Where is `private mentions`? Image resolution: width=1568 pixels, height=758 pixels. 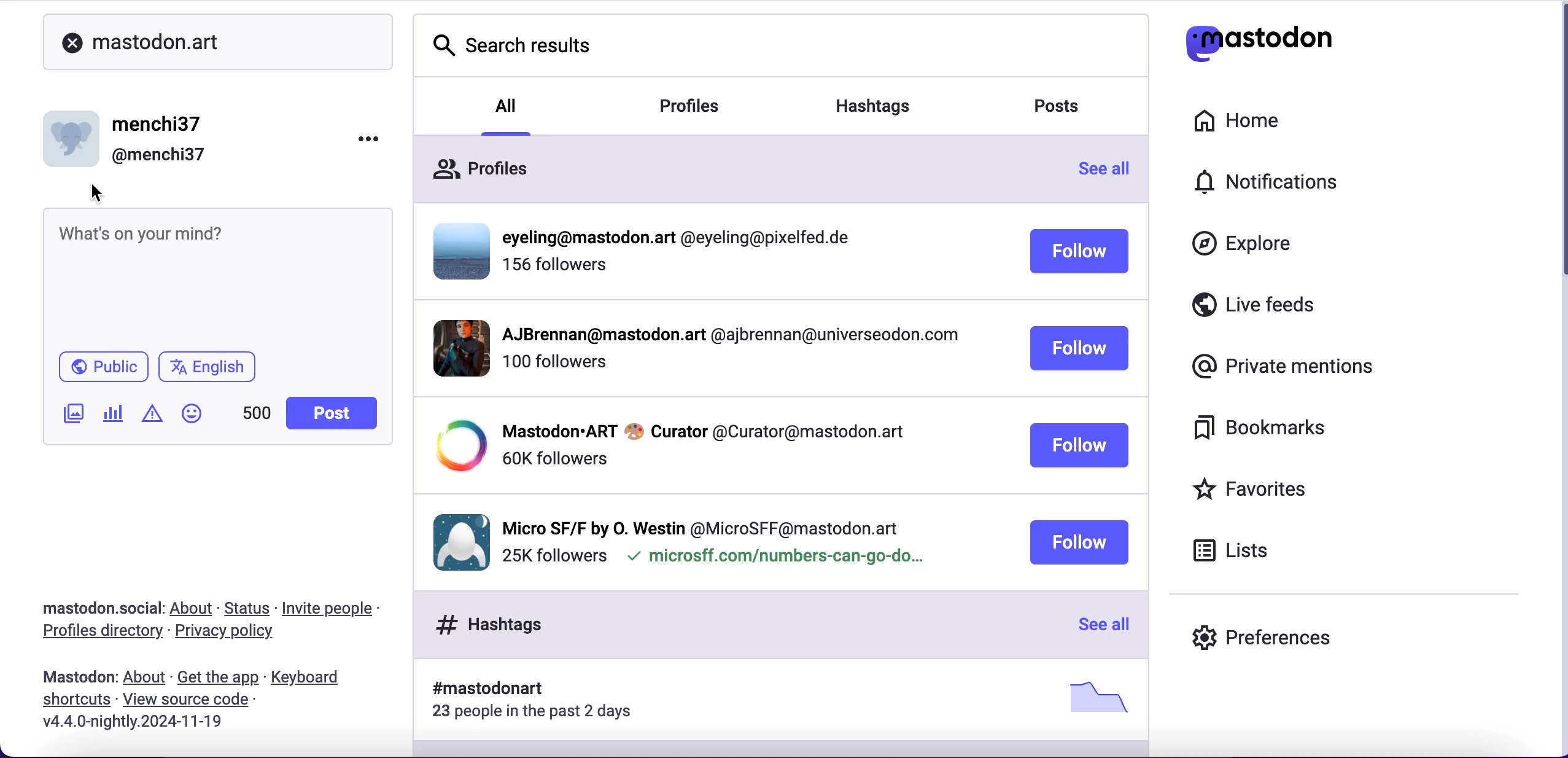 private mentions is located at coordinates (1284, 367).